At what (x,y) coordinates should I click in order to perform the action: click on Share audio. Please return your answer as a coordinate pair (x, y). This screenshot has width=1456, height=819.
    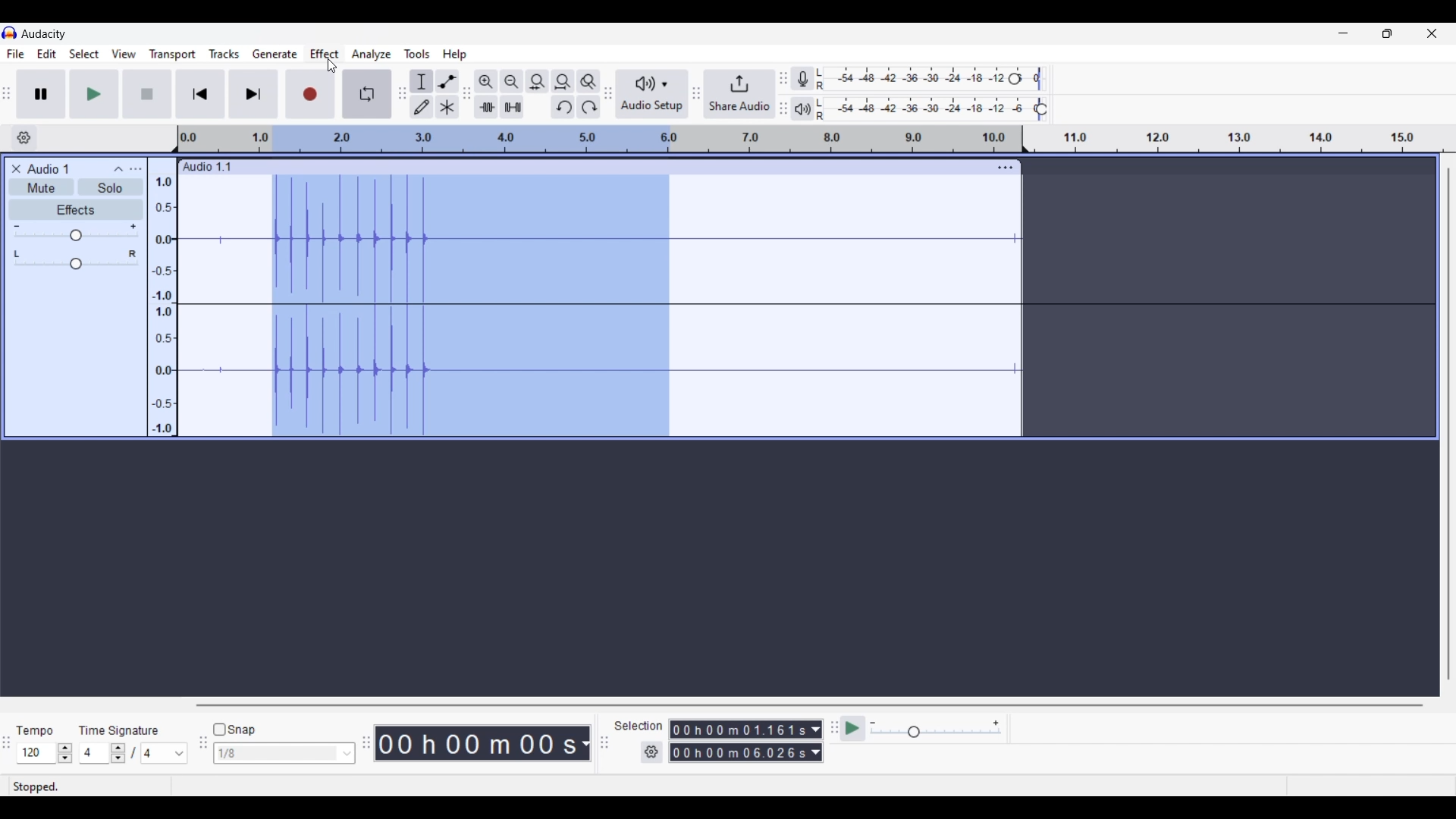
    Looking at the image, I should click on (739, 94).